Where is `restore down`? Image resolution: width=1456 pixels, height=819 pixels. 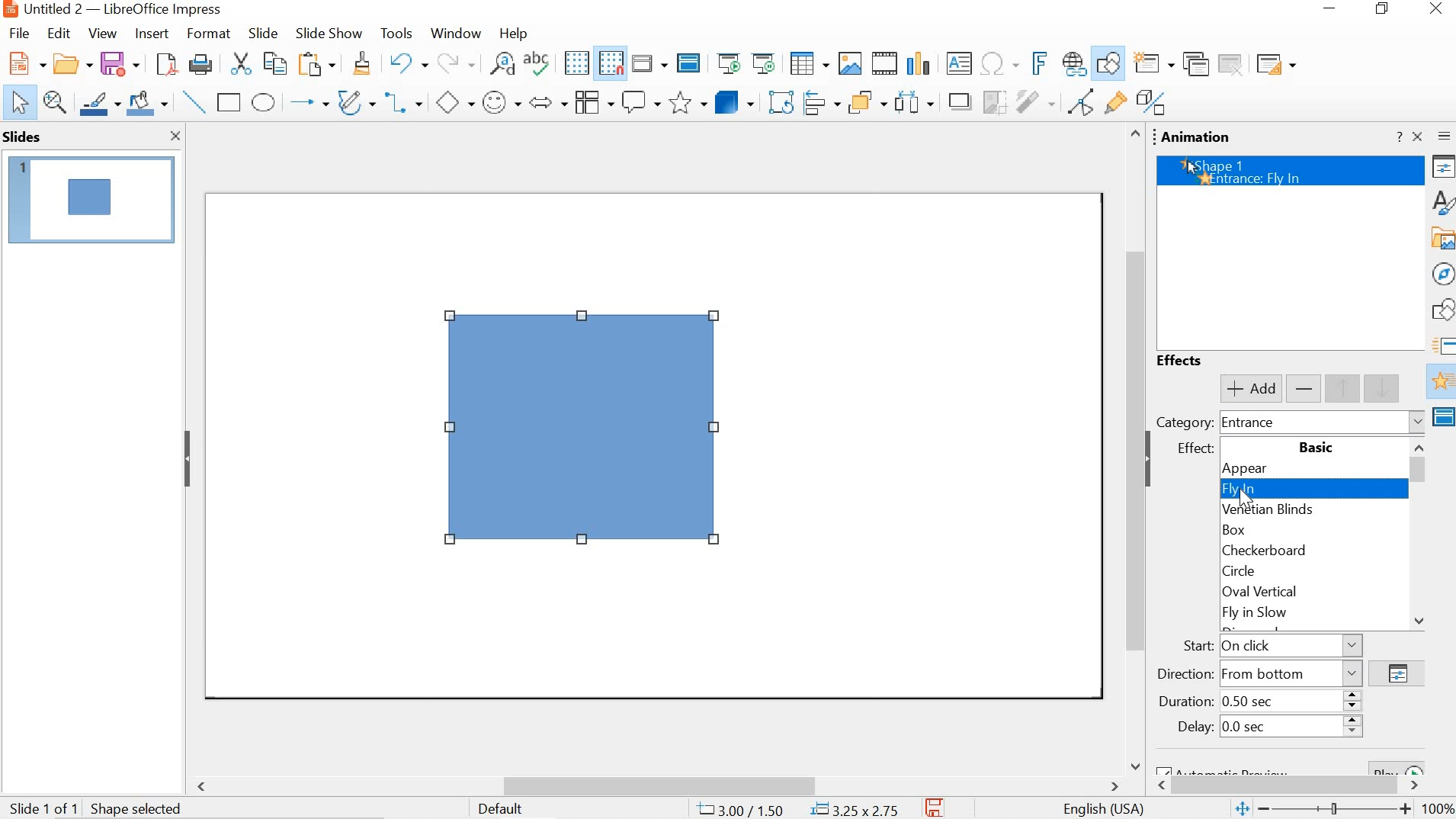 restore down is located at coordinates (1387, 9).